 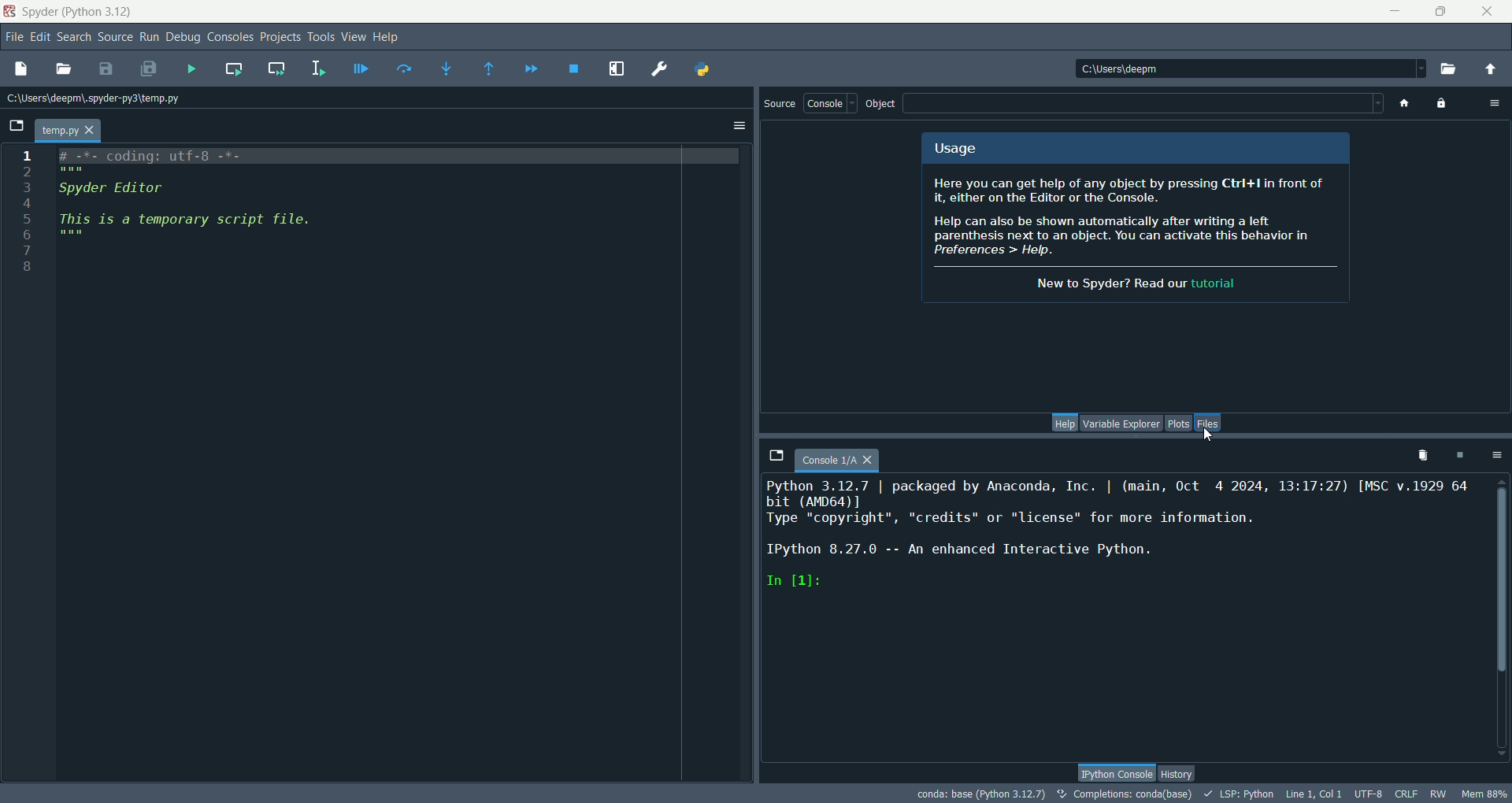 I want to click on minimize, so click(x=1400, y=10).